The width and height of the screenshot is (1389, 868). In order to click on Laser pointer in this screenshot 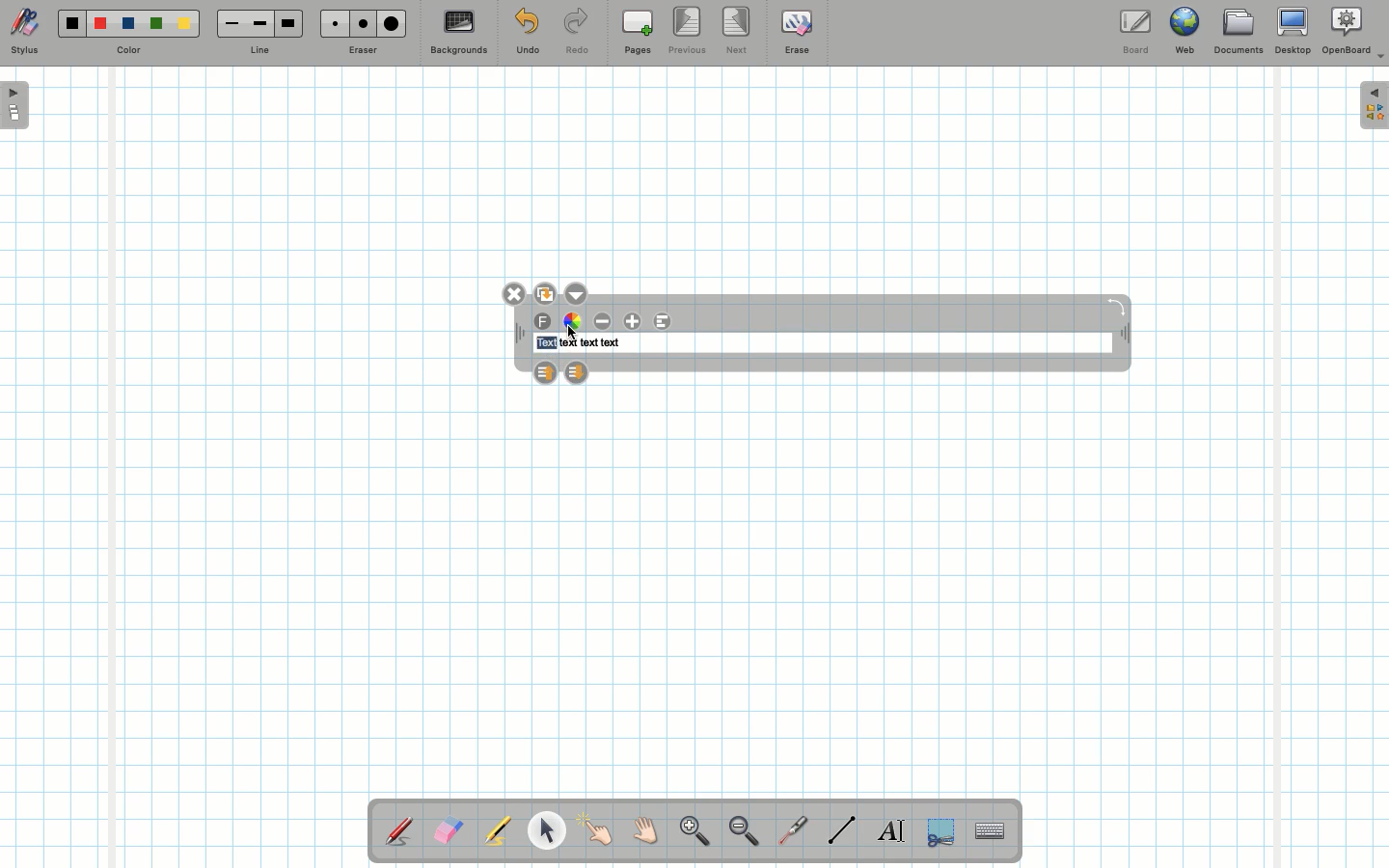, I will do `click(789, 831)`.